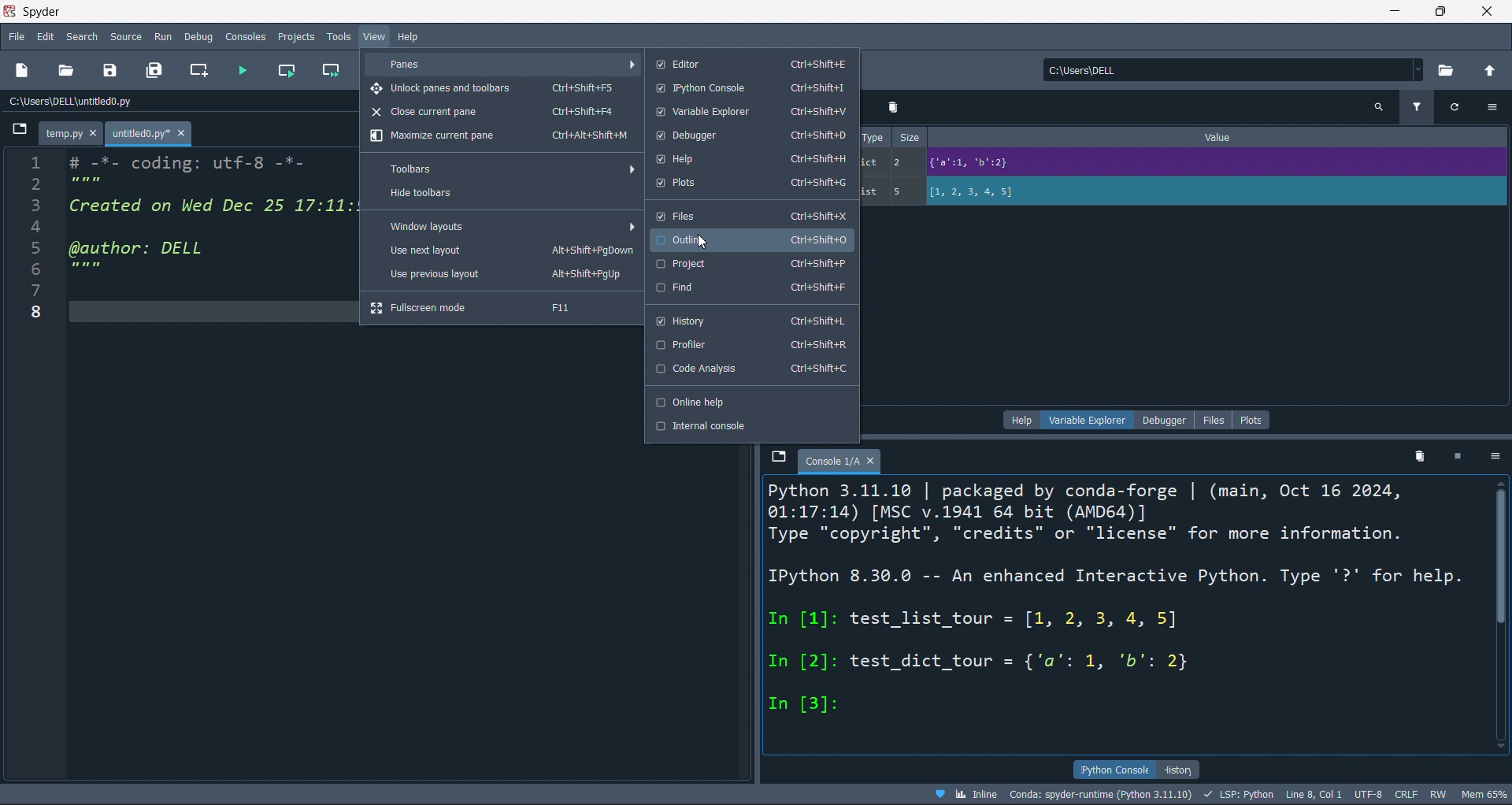 The height and width of the screenshot is (805, 1512). I want to click on history, so click(1180, 770).